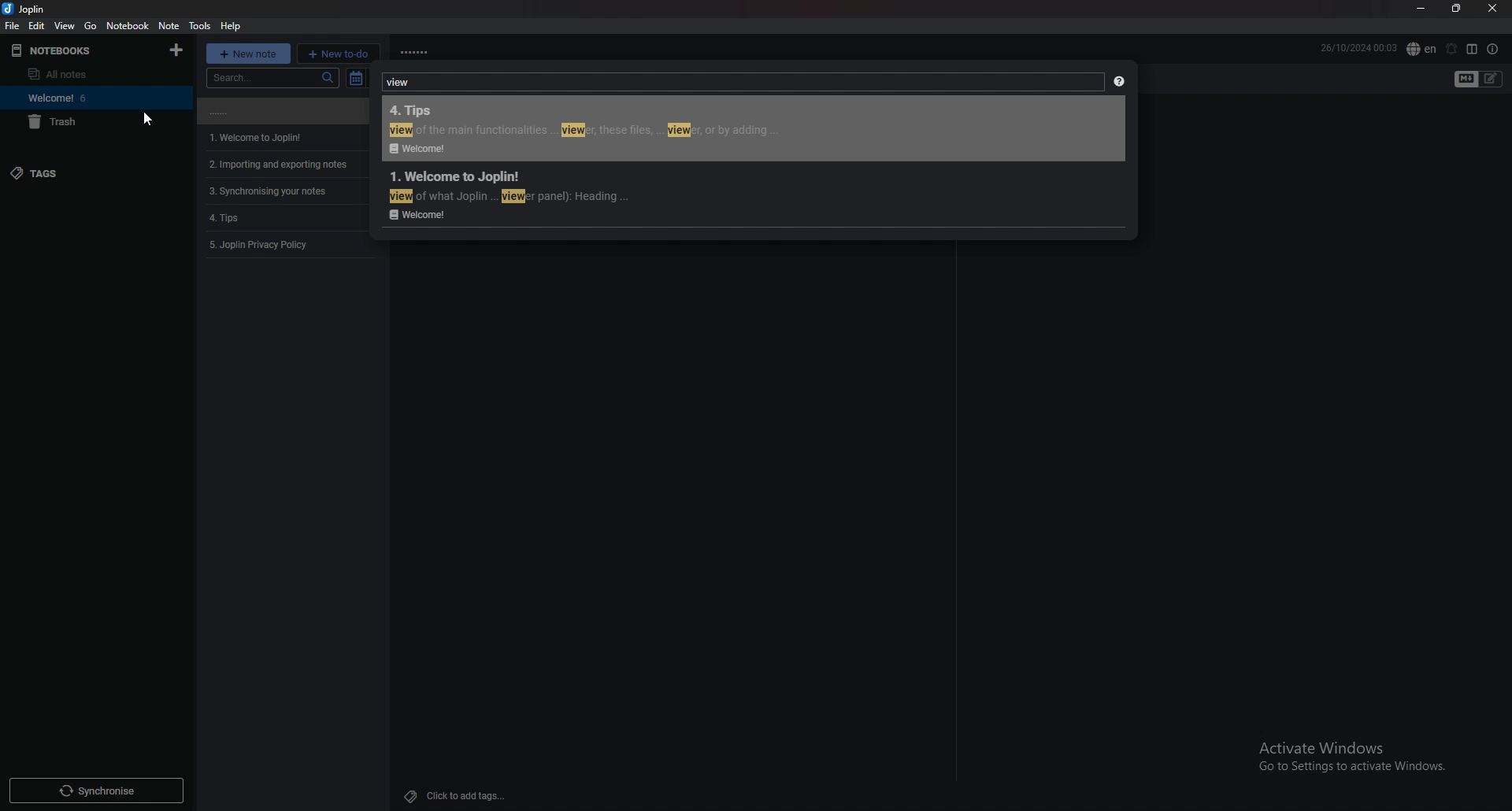  I want to click on note properties, so click(1492, 49).